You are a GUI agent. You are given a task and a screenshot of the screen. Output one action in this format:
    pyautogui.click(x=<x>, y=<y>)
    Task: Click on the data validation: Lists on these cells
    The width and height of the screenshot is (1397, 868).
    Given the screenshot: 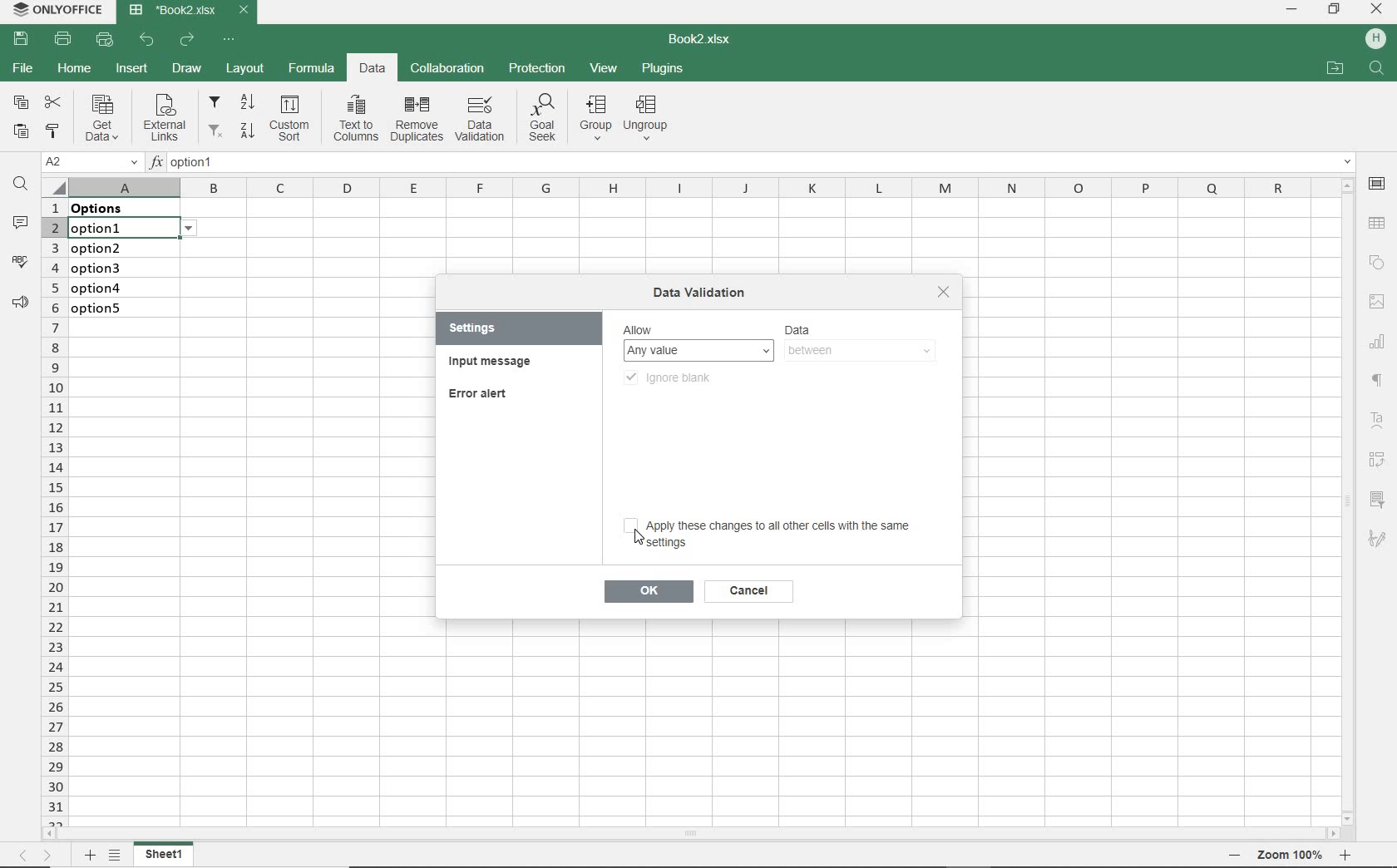 What is the action you would take?
    pyautogui.click(x=136, y=282)
    